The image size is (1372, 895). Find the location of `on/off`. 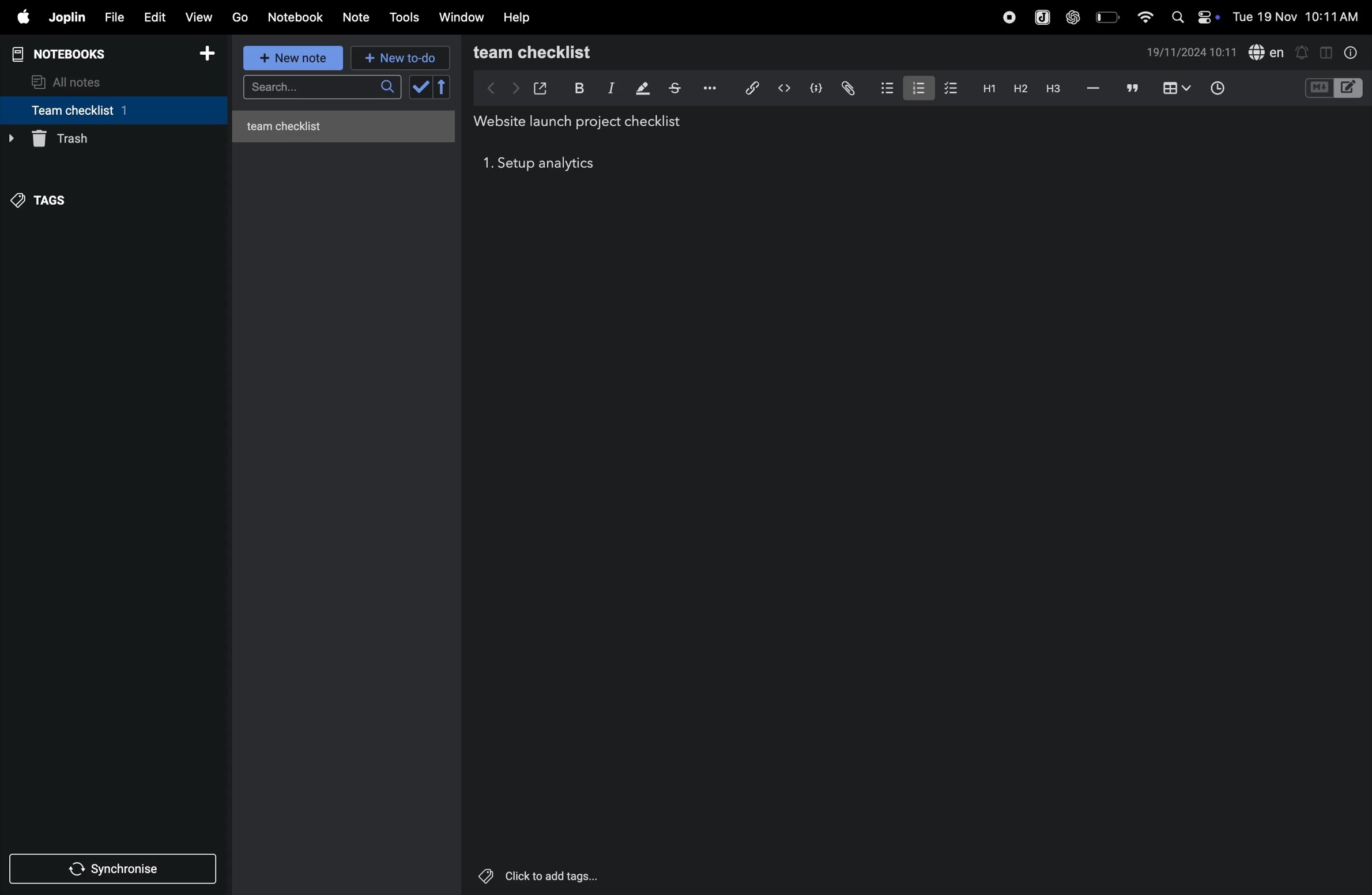

on/off is located at coordinates (1211, 17).